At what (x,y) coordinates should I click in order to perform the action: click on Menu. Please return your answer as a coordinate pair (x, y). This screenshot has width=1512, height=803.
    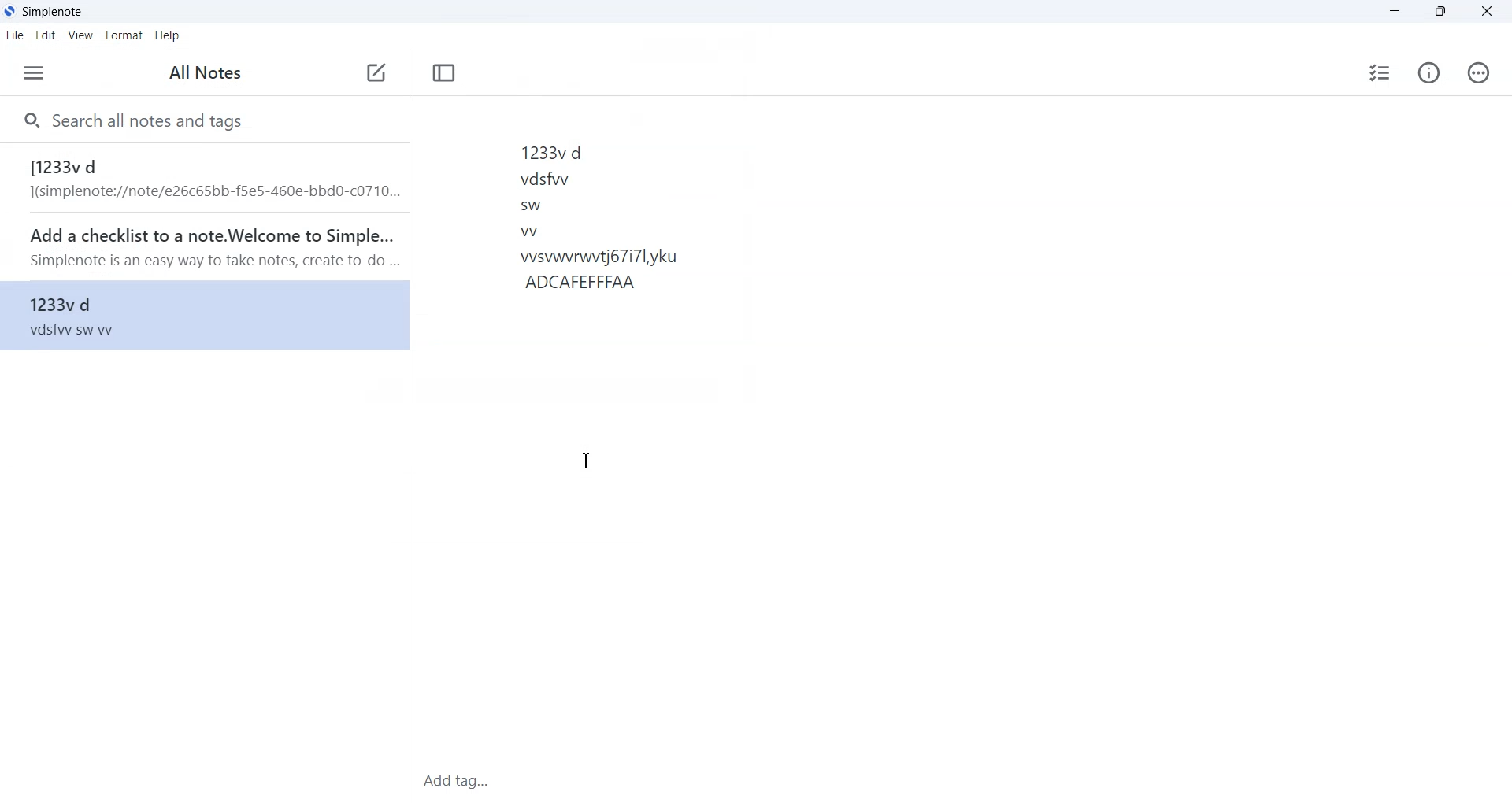
    Looking at the image, I should click on (34, 73).